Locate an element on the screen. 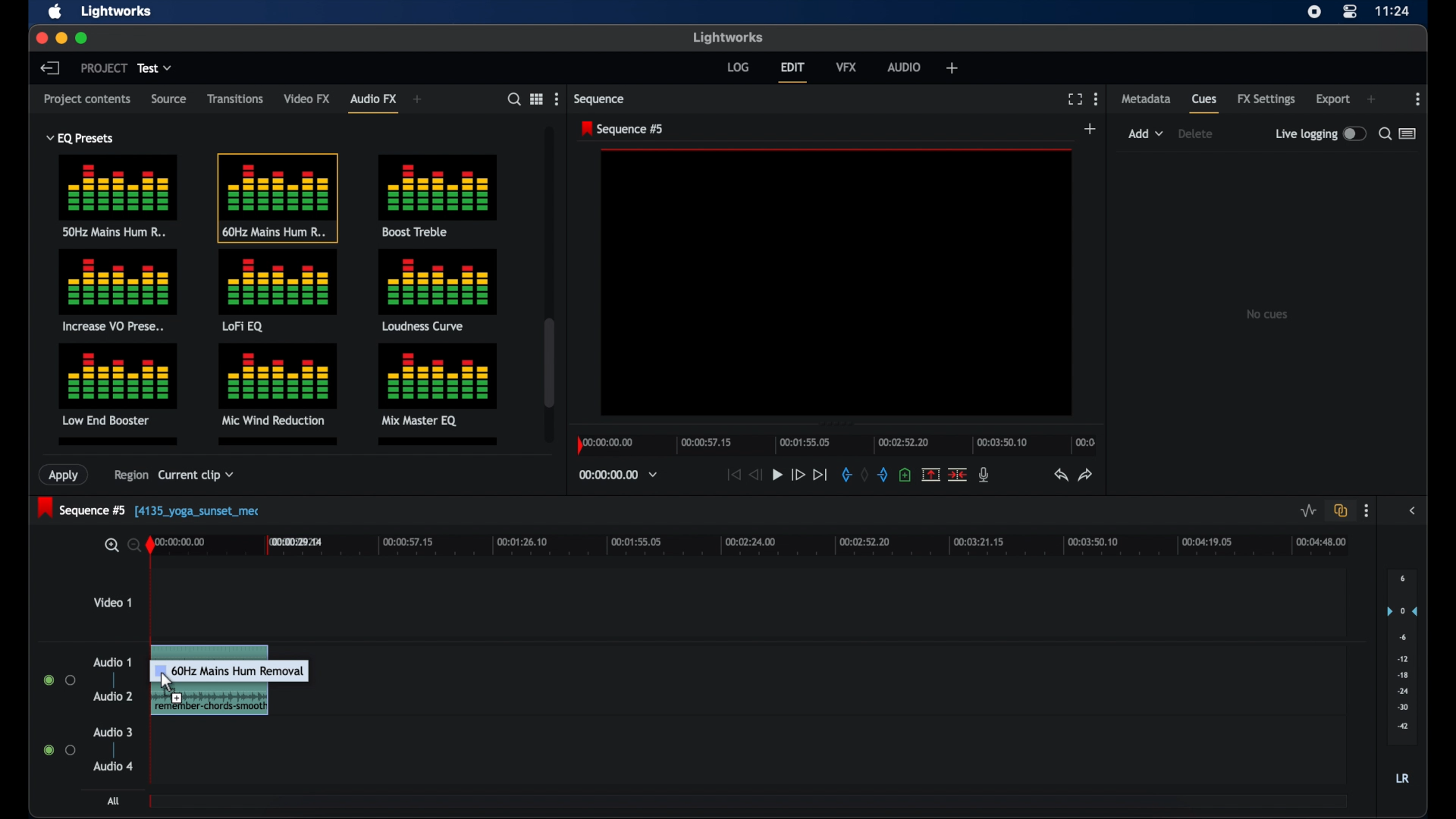 This screenshot has height=819, width=1456. project is located at coordinates (104, 67).